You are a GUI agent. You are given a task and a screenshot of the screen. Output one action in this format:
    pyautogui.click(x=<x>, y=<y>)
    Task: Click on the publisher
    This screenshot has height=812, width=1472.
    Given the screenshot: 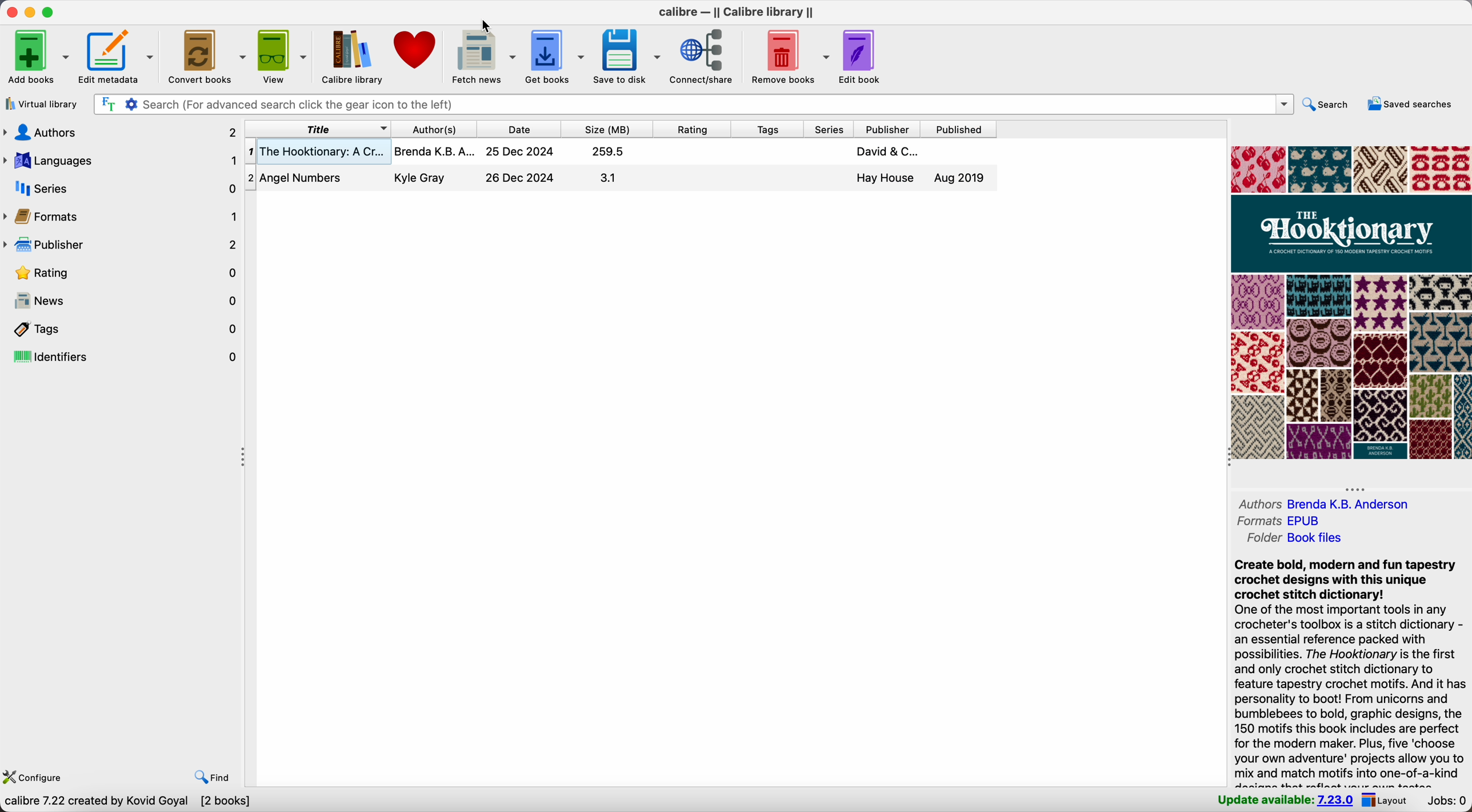 What is the action you would take?
    pyautogui.click(x=122, y=246)
    